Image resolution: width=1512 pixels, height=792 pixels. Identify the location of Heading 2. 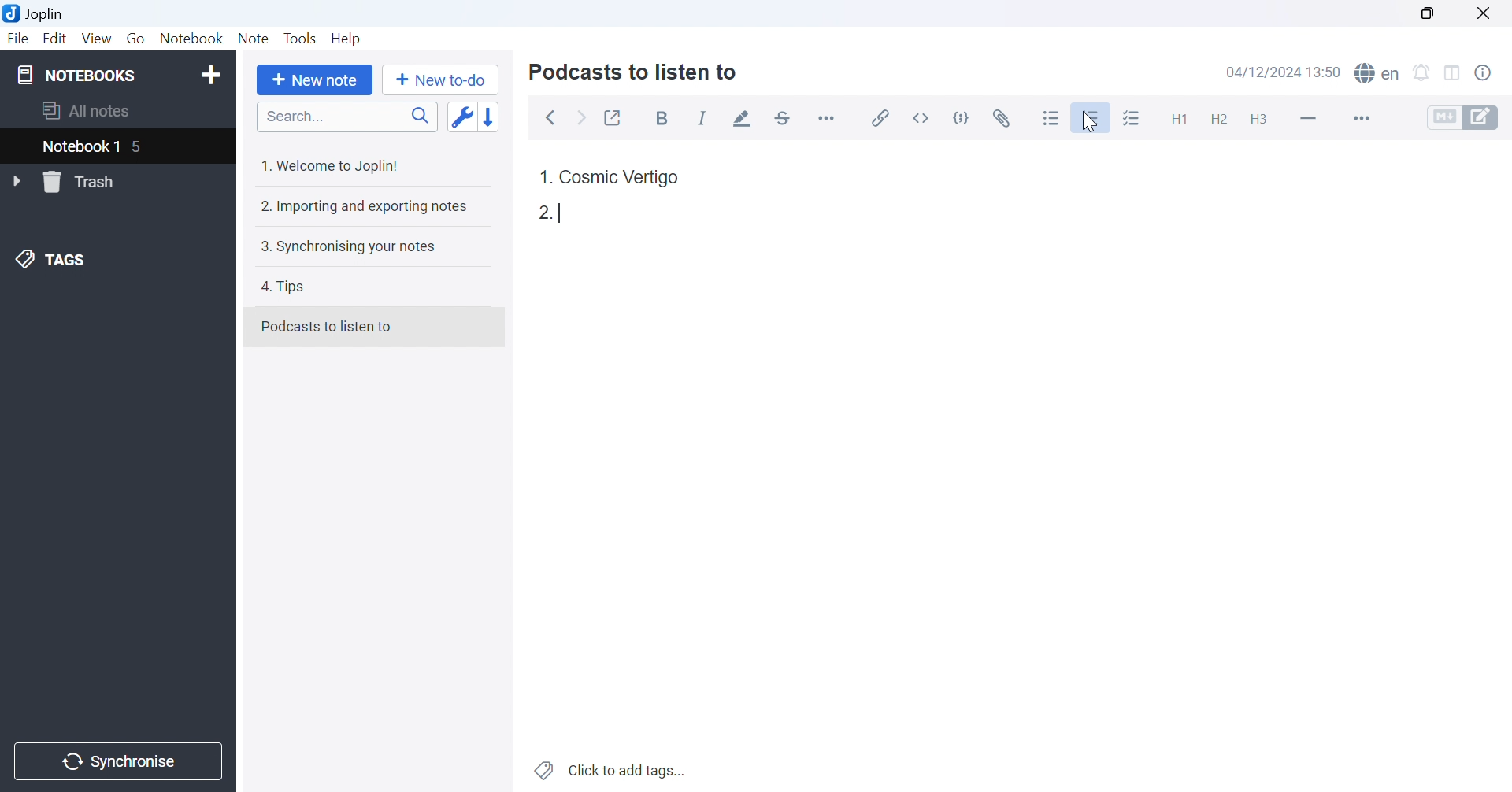
(1218, 117).